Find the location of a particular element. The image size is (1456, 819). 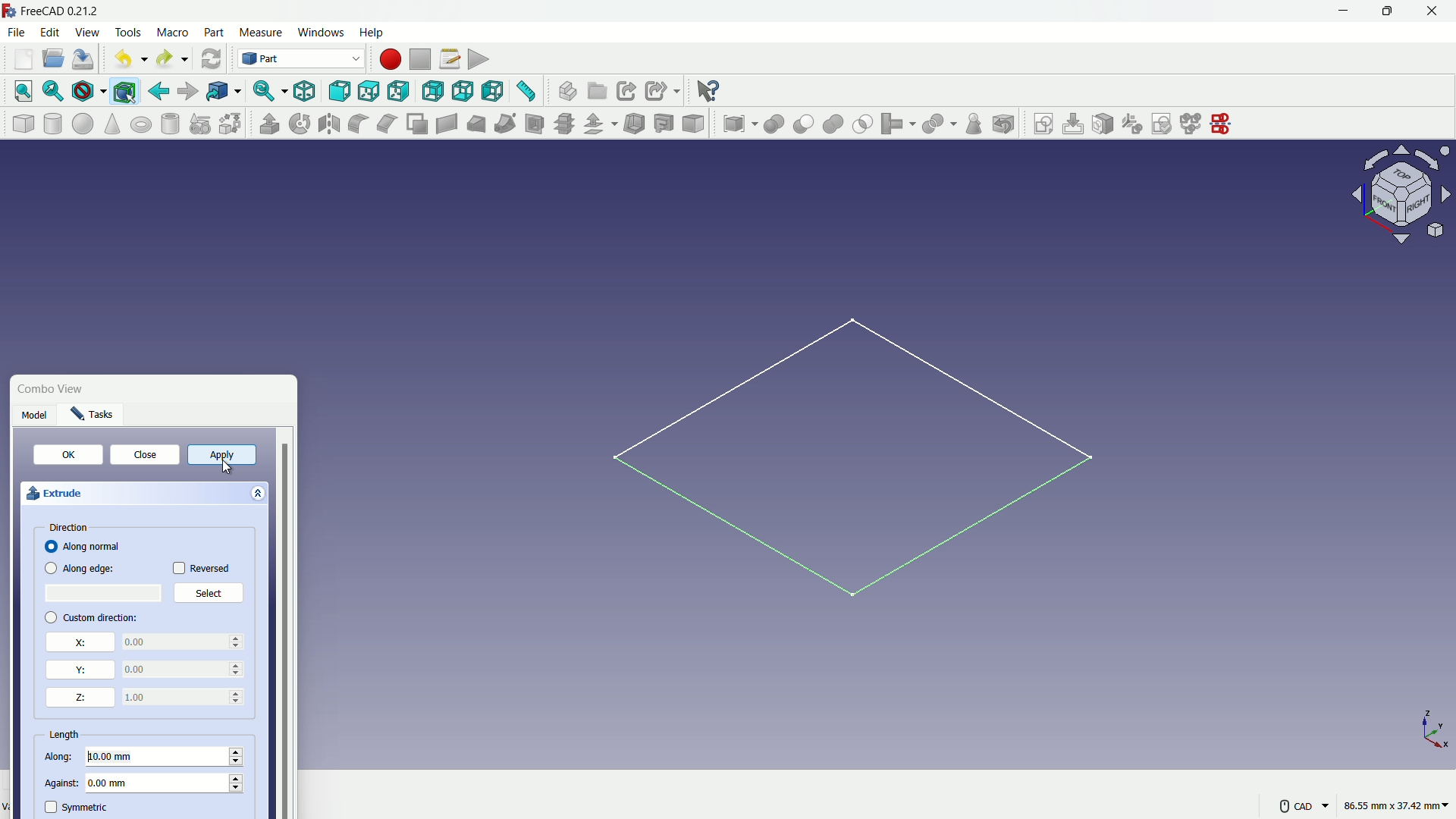

bounding box is located at coordinates (124, 93).